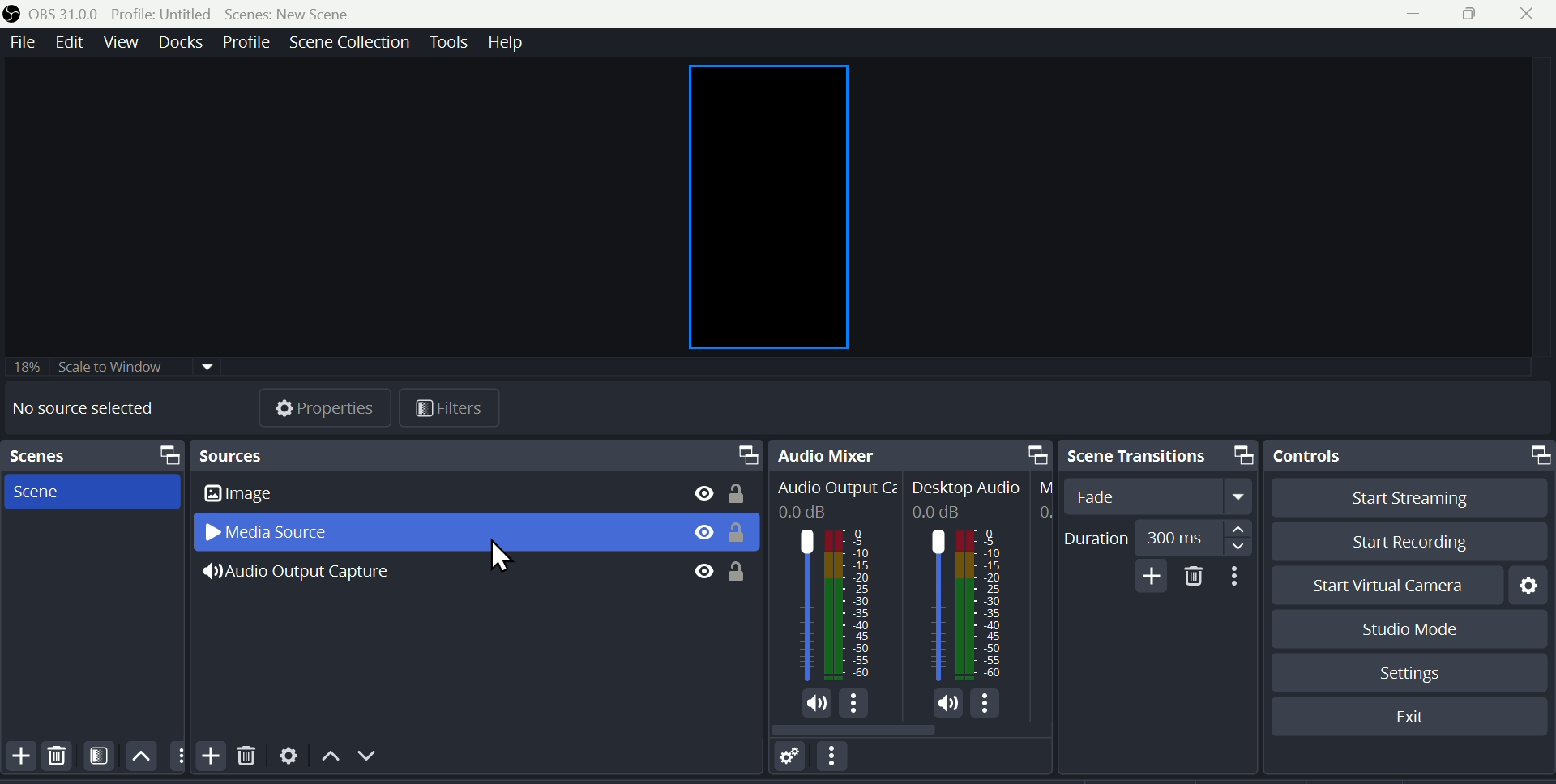 The width and height of the screenshot is (1556, 784). What do you see at coordinates (327, 760) in the screenshot?
I see `Move up` at bounding box center [327, 760].